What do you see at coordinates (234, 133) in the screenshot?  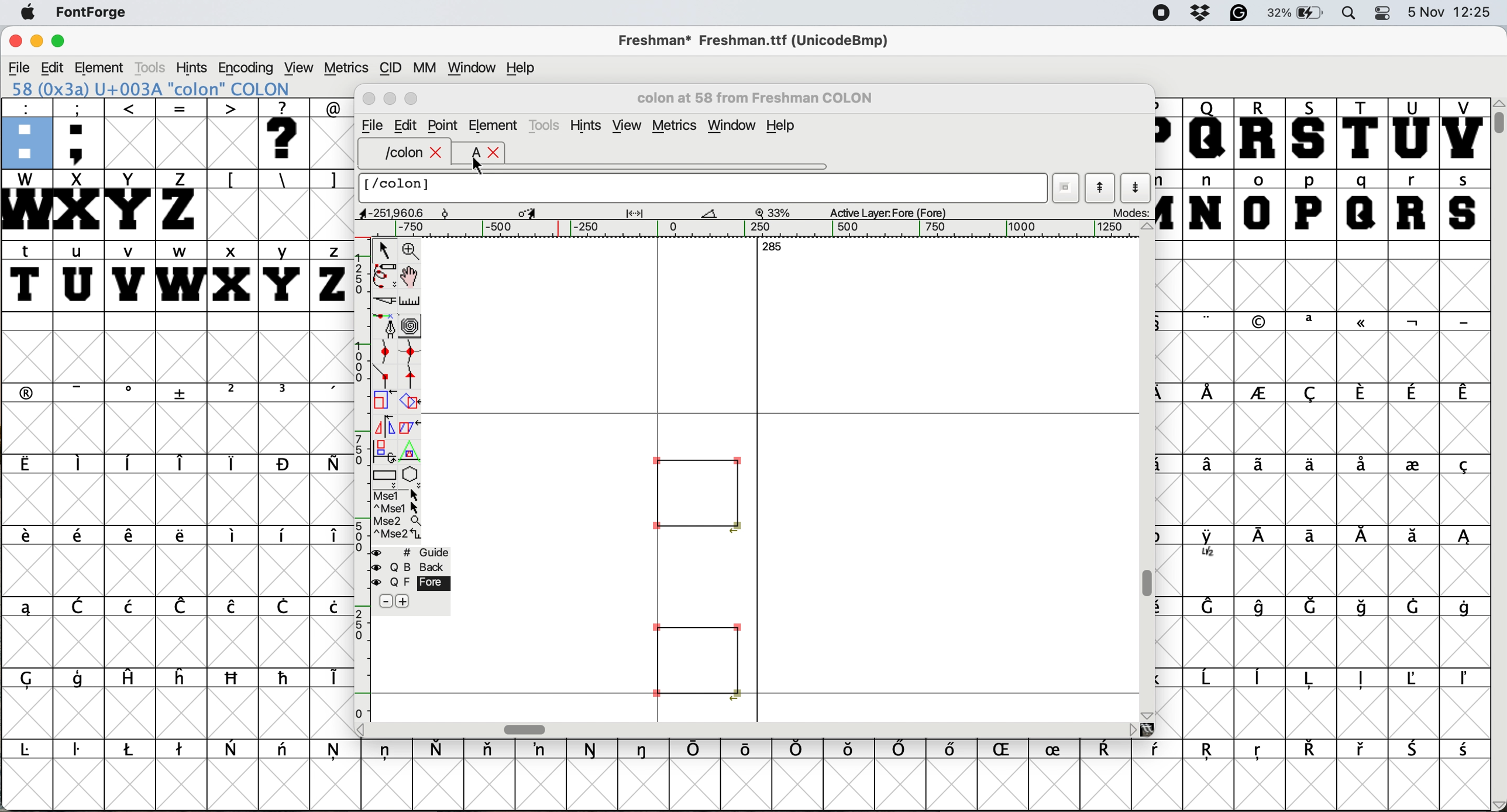 I see `>` at bounding box center [234, 133].